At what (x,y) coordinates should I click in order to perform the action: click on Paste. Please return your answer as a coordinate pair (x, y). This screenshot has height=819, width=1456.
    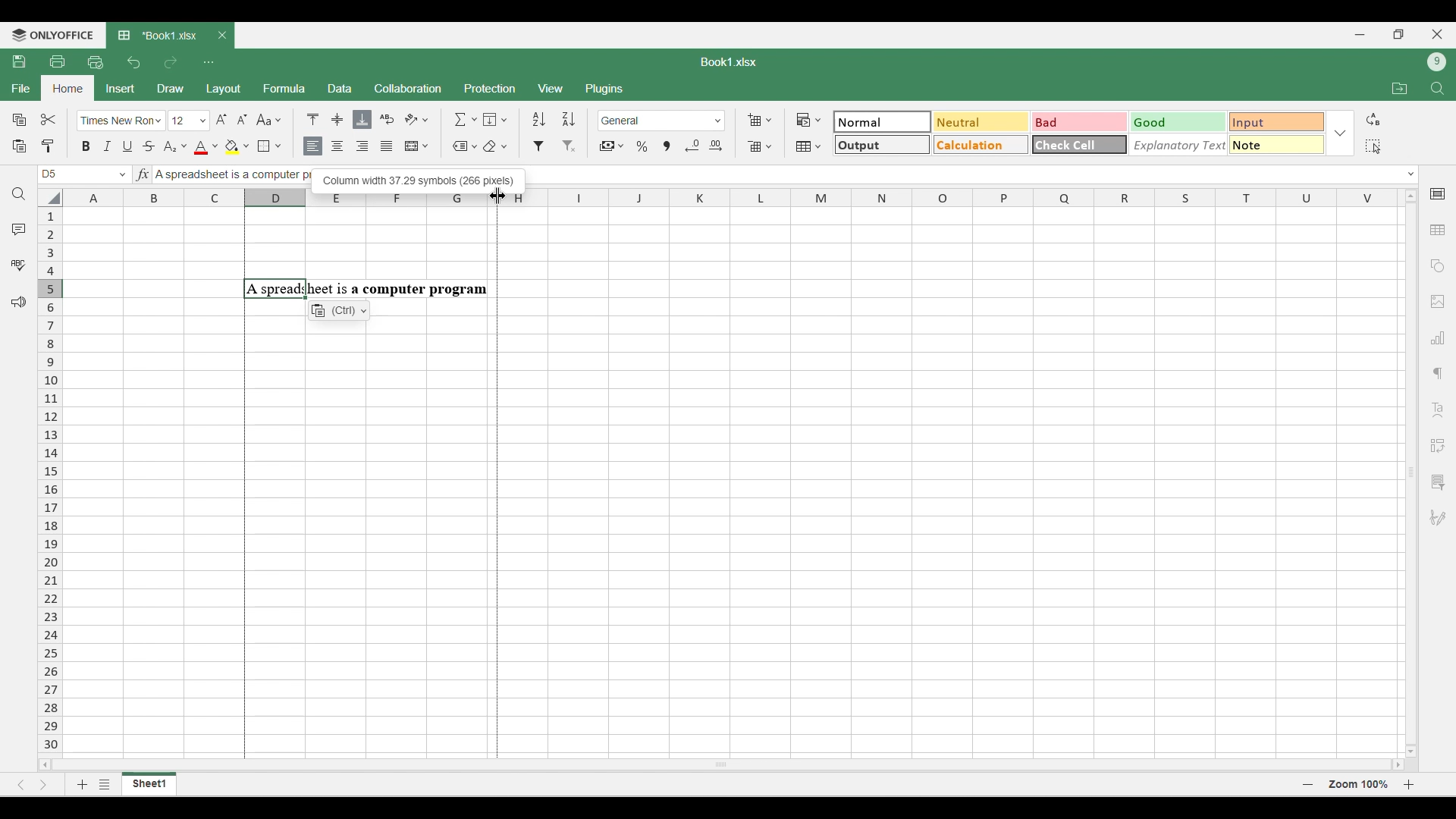
    Looking at the image, I should click on (18, 146).